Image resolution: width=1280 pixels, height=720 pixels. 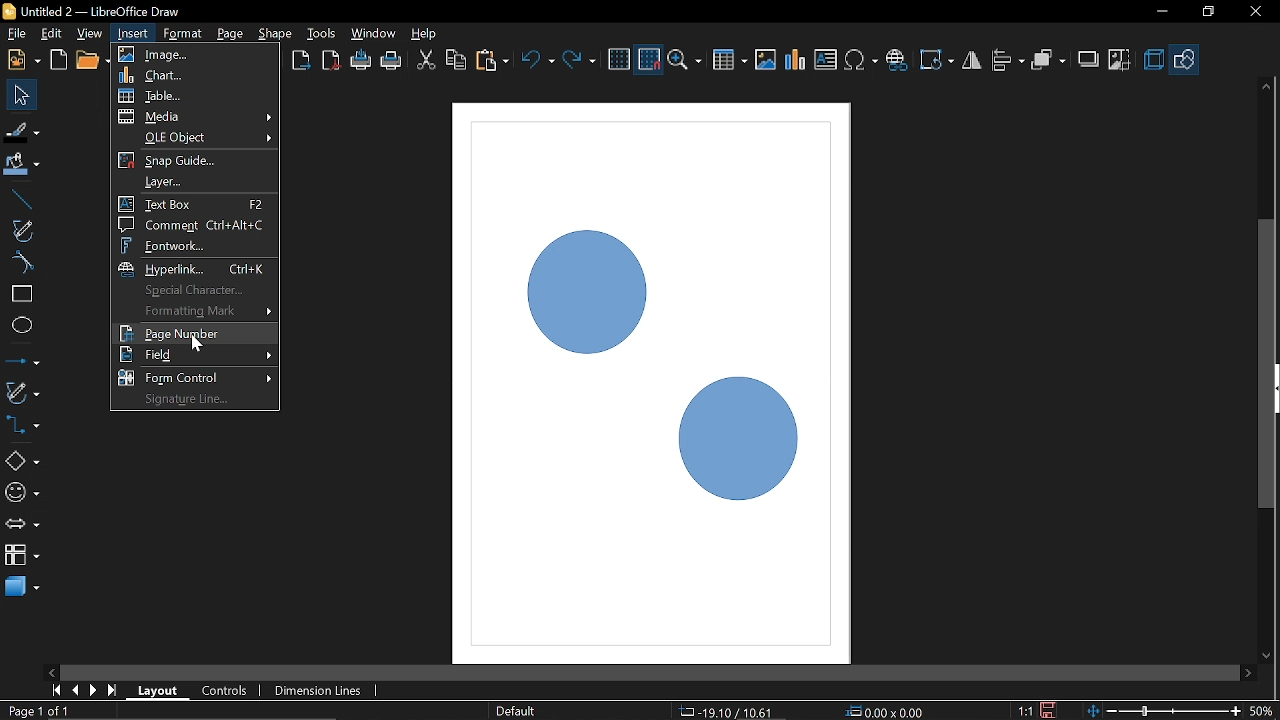 I want to click on Open template manager, so click(x=58, y=60).